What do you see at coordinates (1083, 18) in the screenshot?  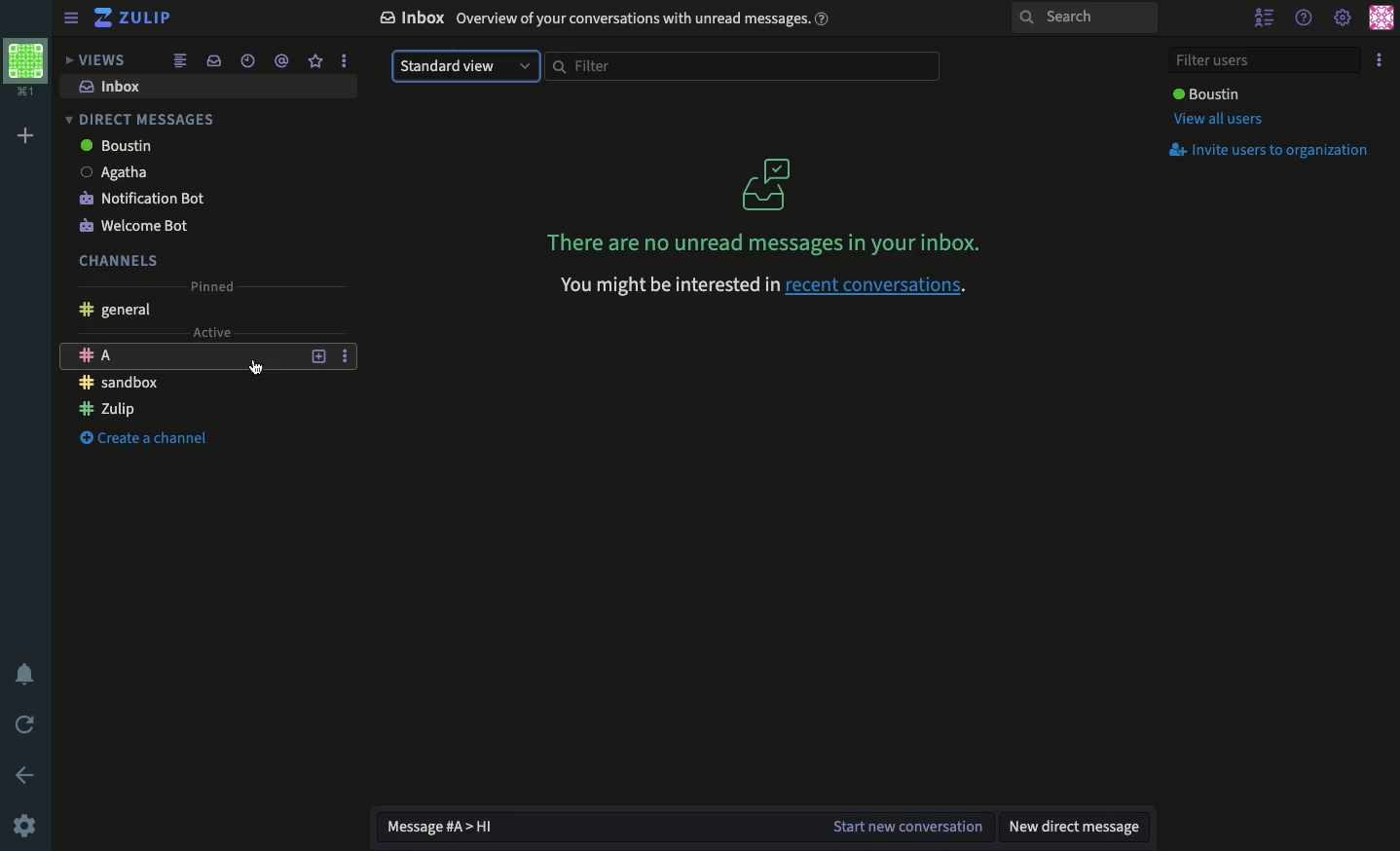 I see `Search` at bounding box center [1083, 18].